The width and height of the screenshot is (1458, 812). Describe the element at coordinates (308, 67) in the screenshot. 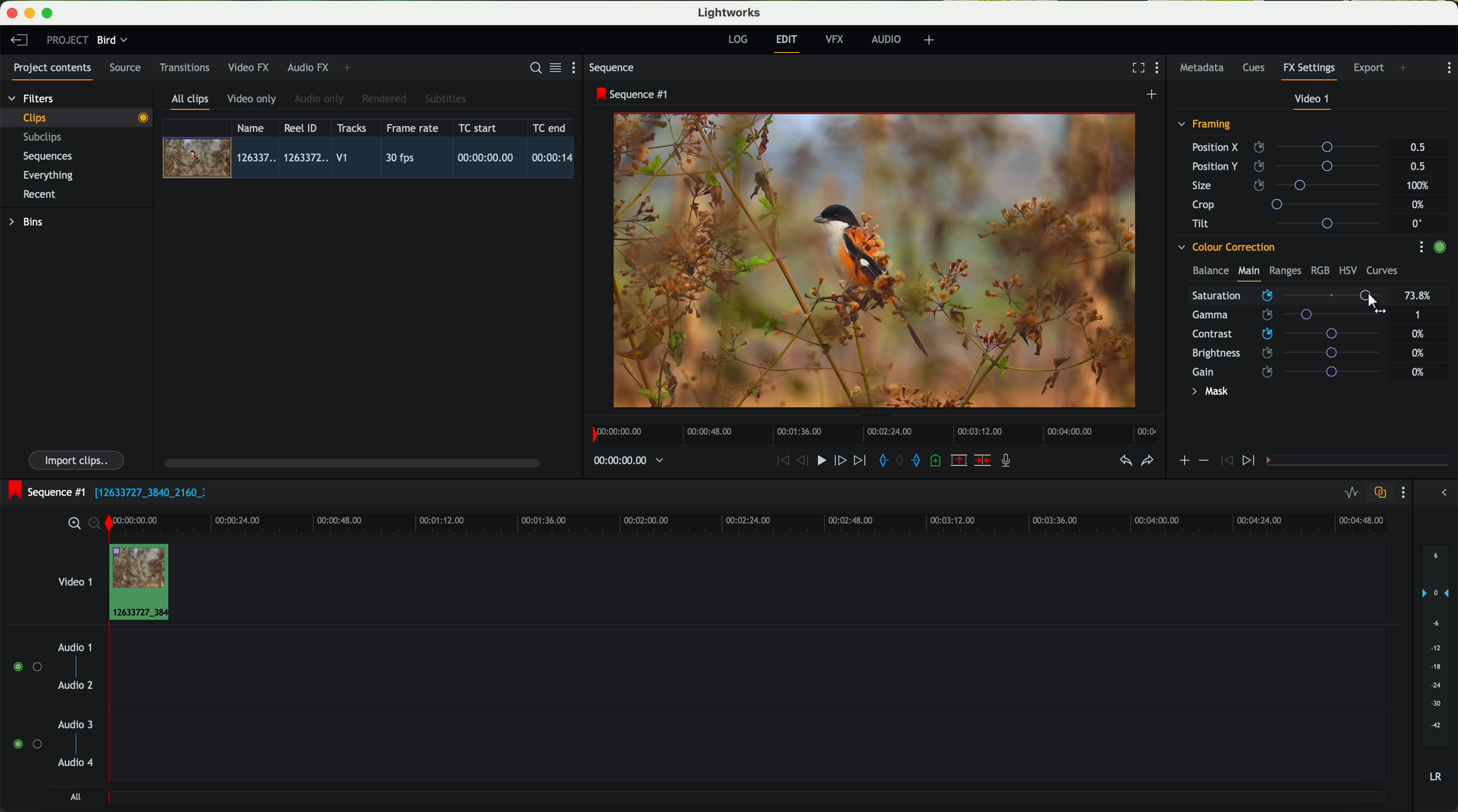

I see `audio FX` at that location.